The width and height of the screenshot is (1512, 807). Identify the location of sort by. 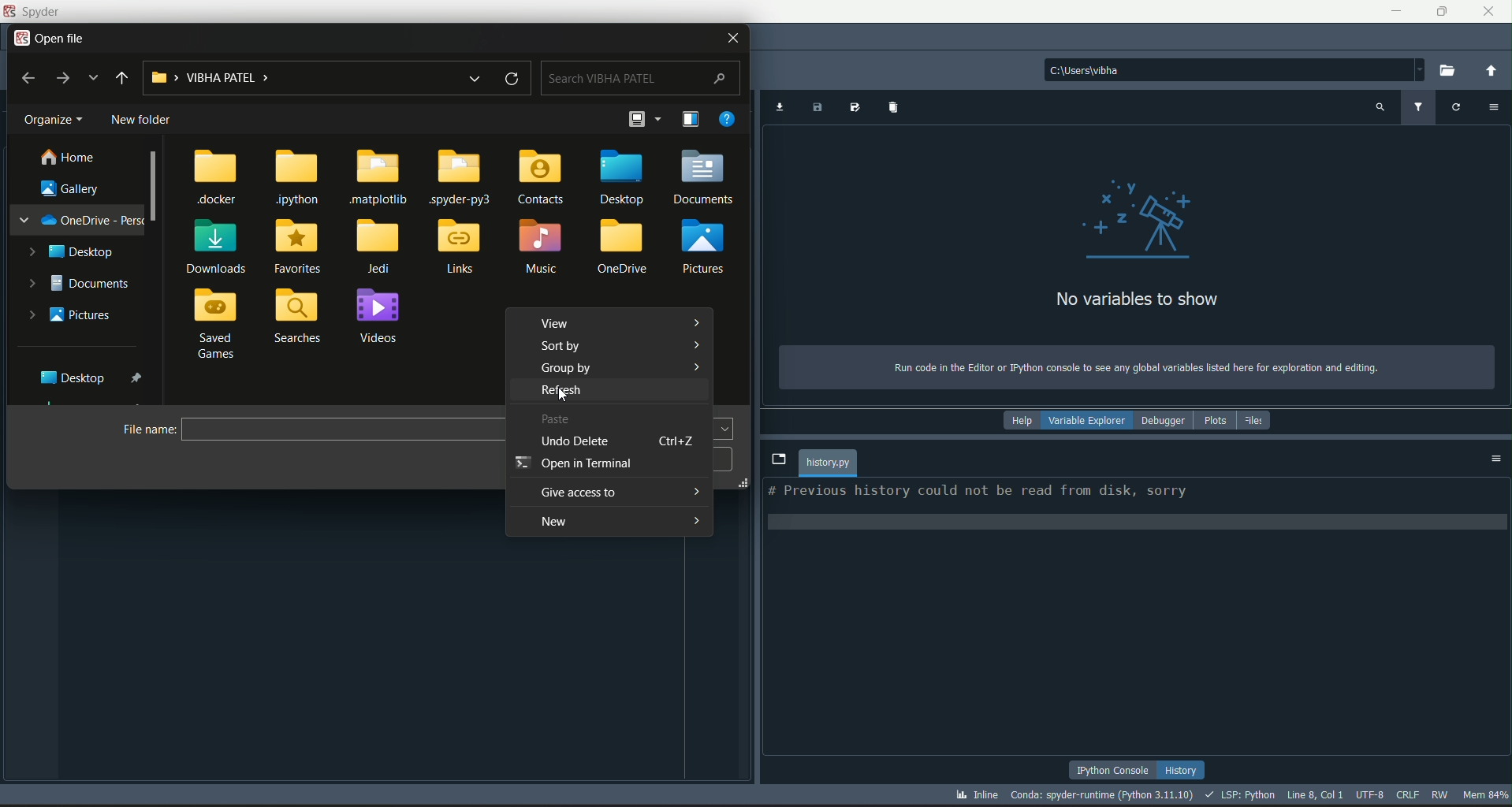
(563, 348).